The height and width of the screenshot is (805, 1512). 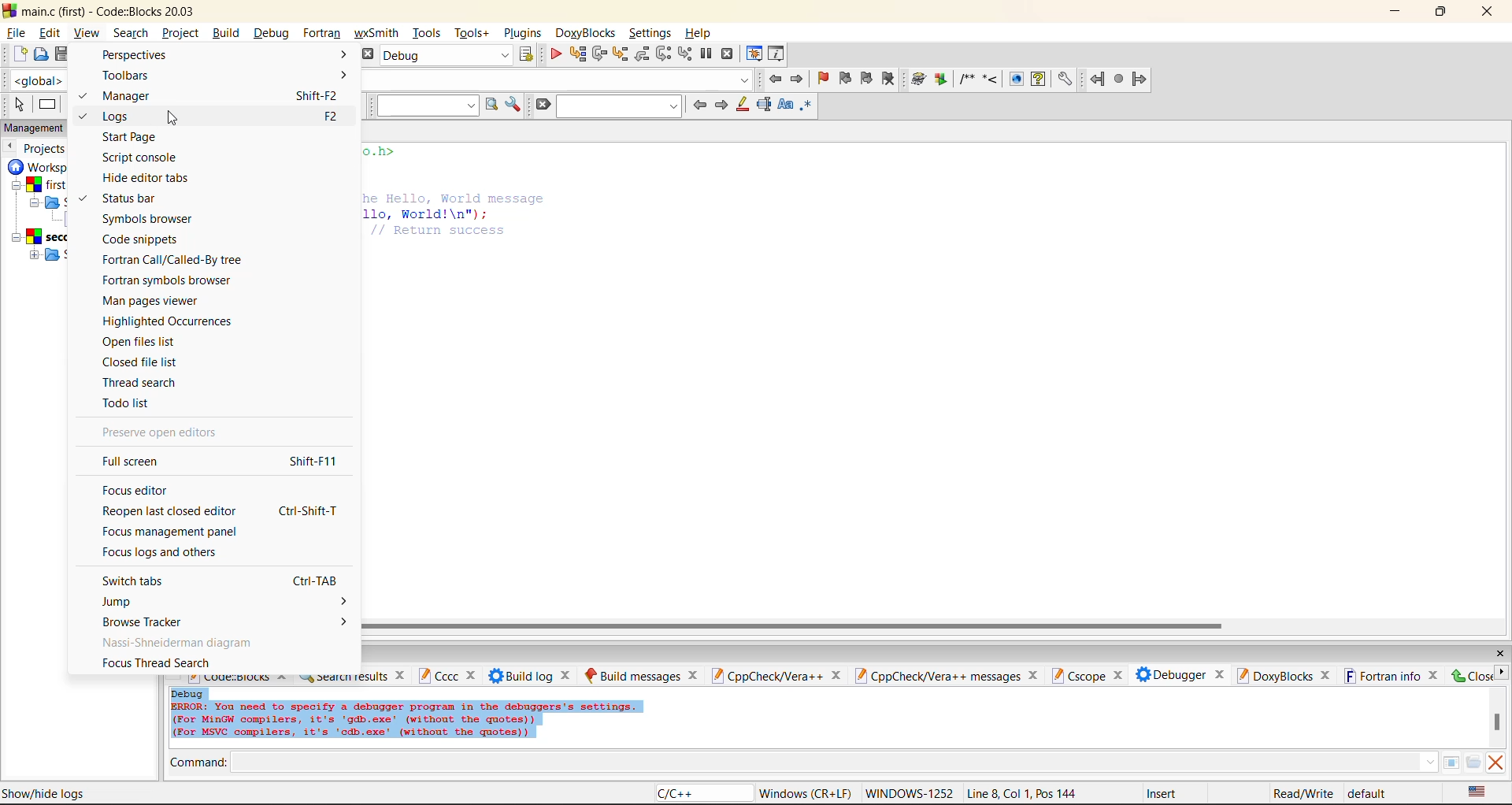 What do you see at coordinates (175, 533) in the screenshot?
I see `focus management panel` at bounding box center [175, 533].